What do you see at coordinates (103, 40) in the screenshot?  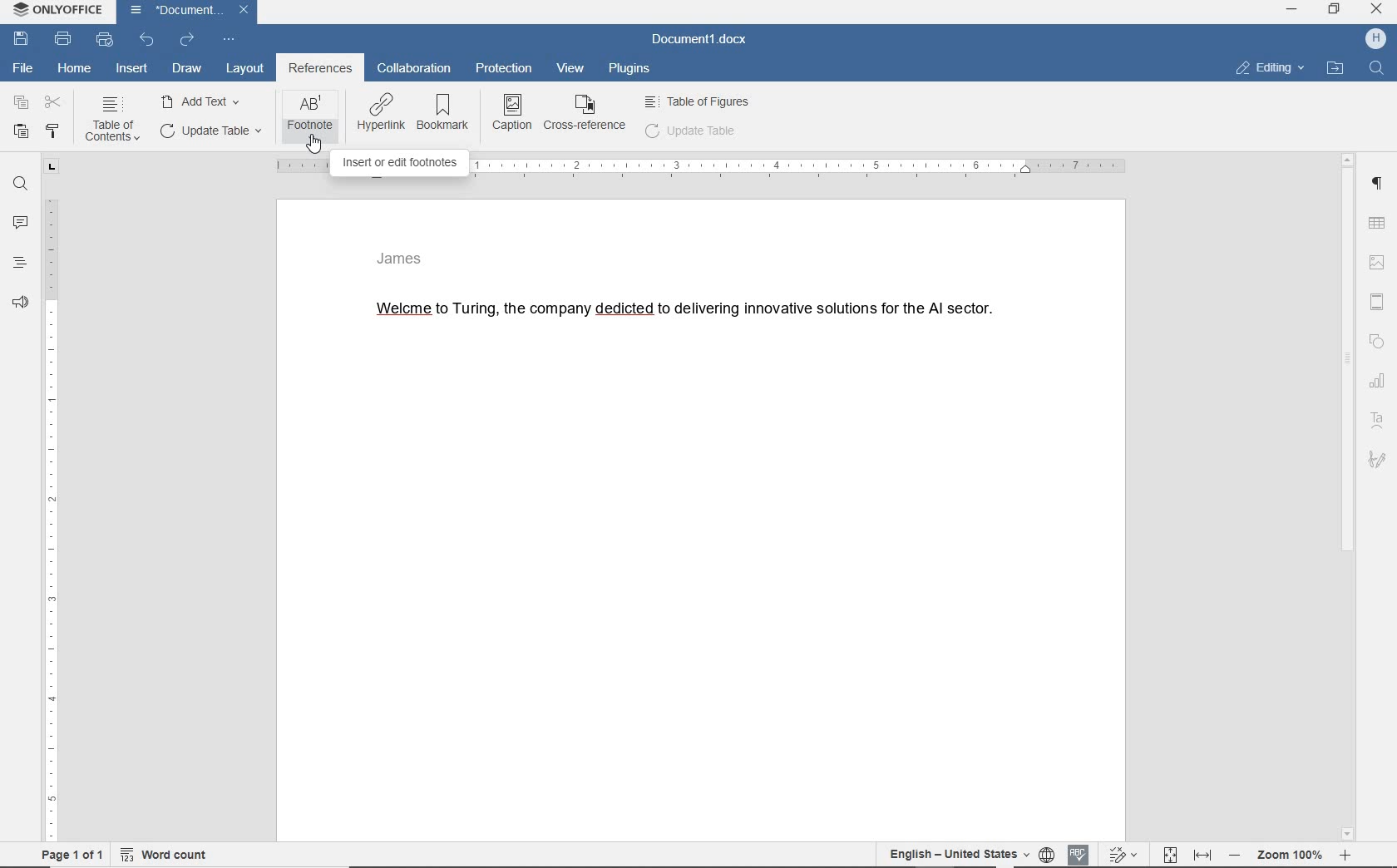 I see `quick print` at bounding box center [103, 40].